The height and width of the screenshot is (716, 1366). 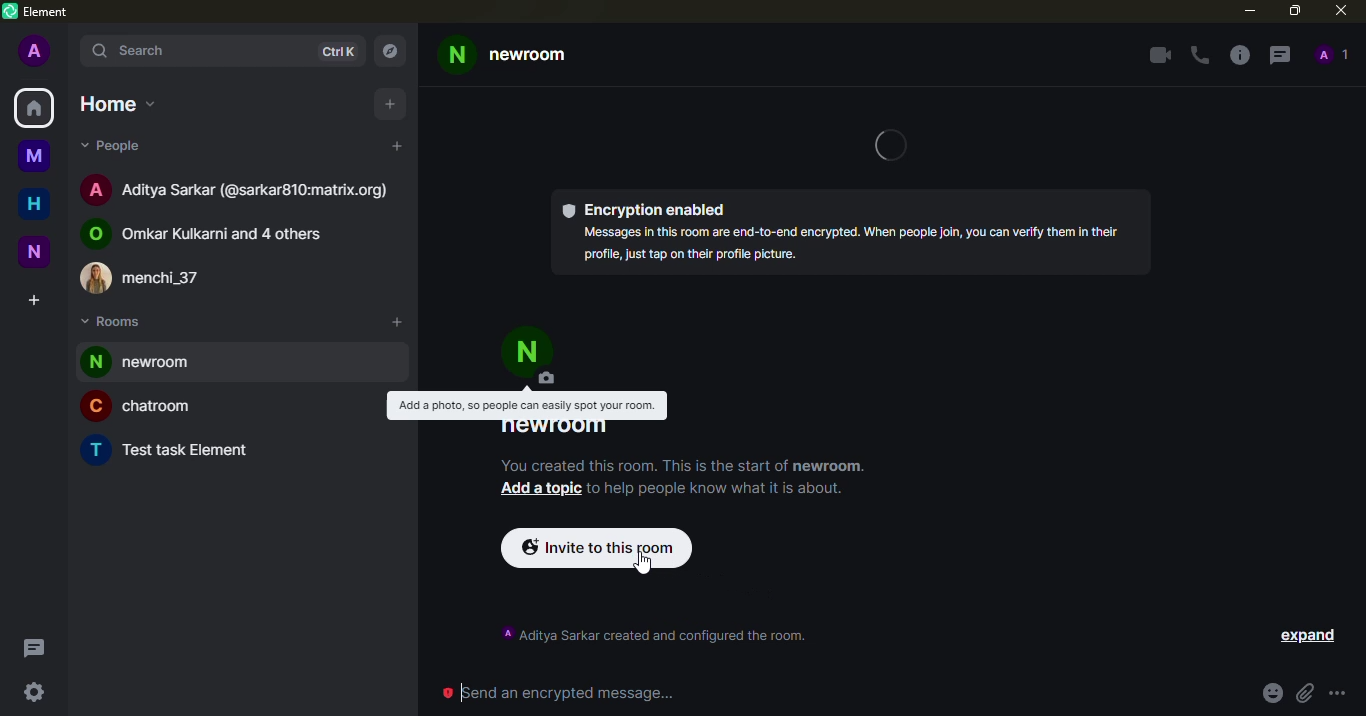 What do you see at coordinates (37, 300) in the screenshot?
I see `create space` at bounding box center [37, 300].